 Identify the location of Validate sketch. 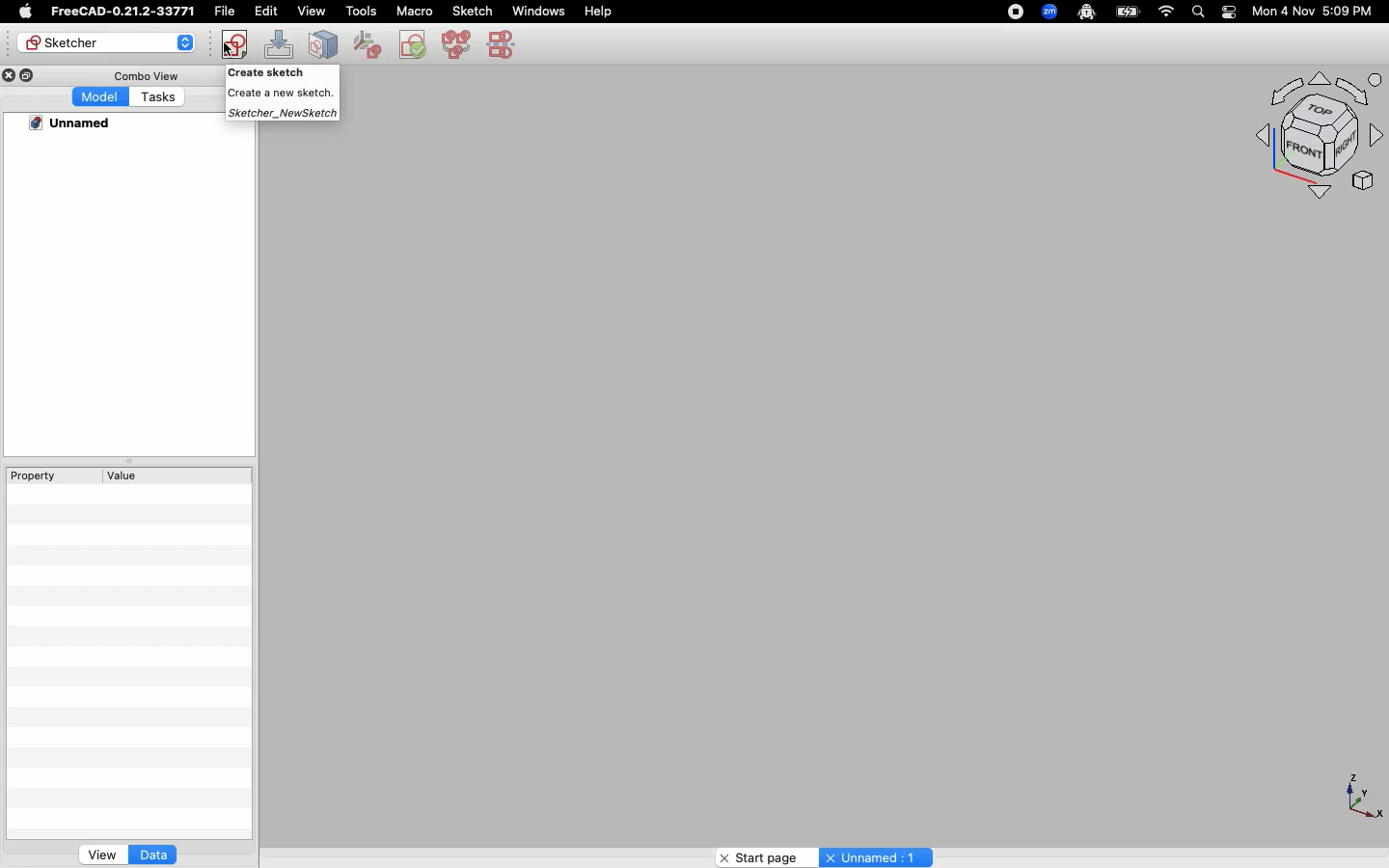
(368, 44).